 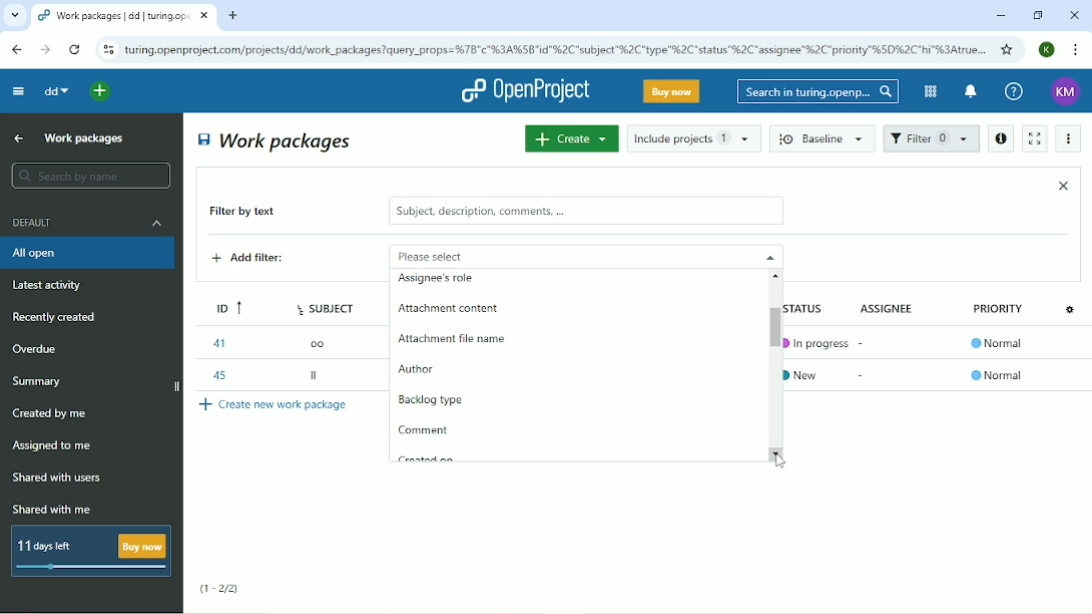 What do you see at coordinates (672, 91) in the screenshot?
I see `Buy now` at bounding box center [672, 91].